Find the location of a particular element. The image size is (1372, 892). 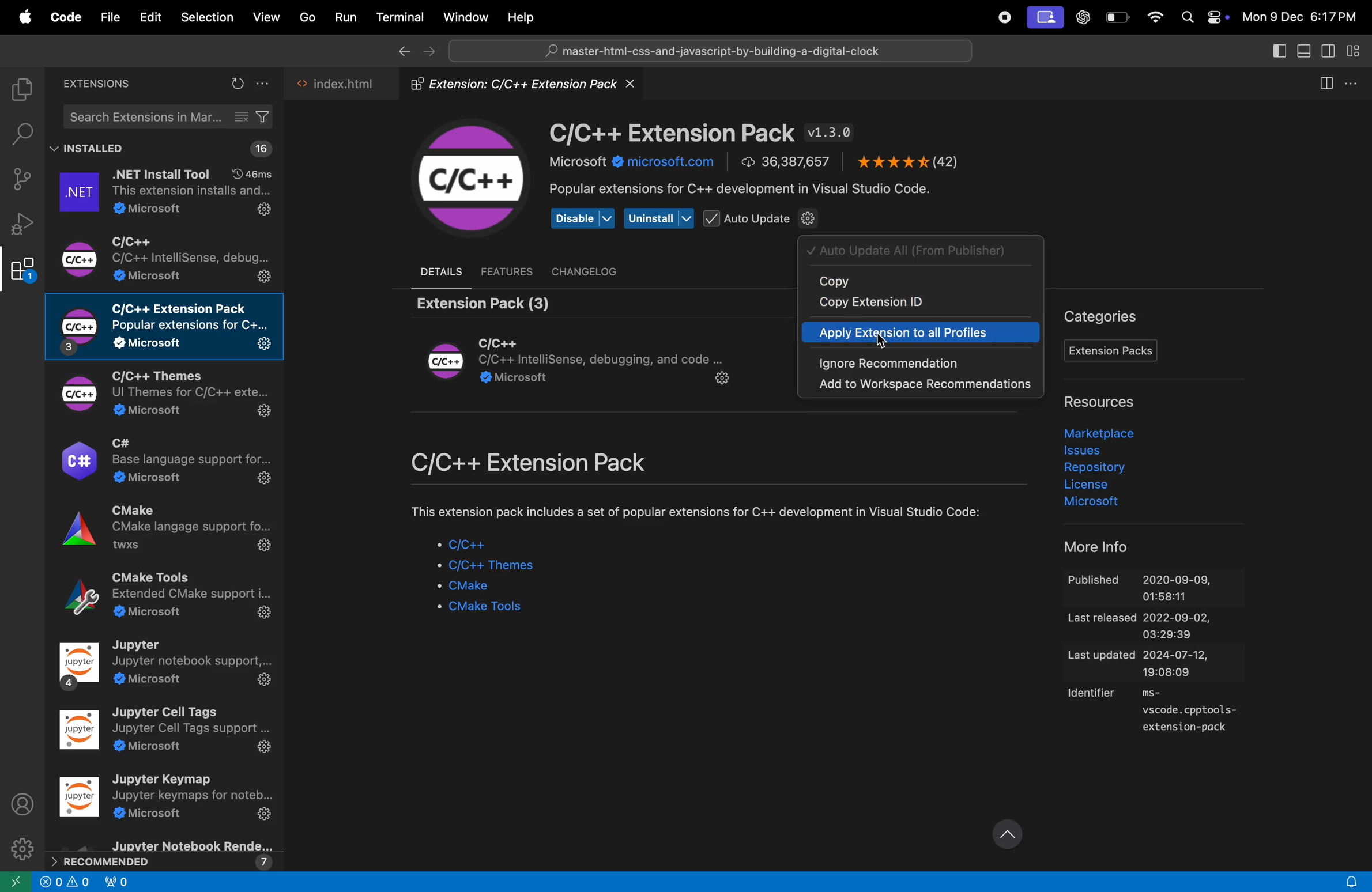

toggle panel is located at coordinates (1301, 50).